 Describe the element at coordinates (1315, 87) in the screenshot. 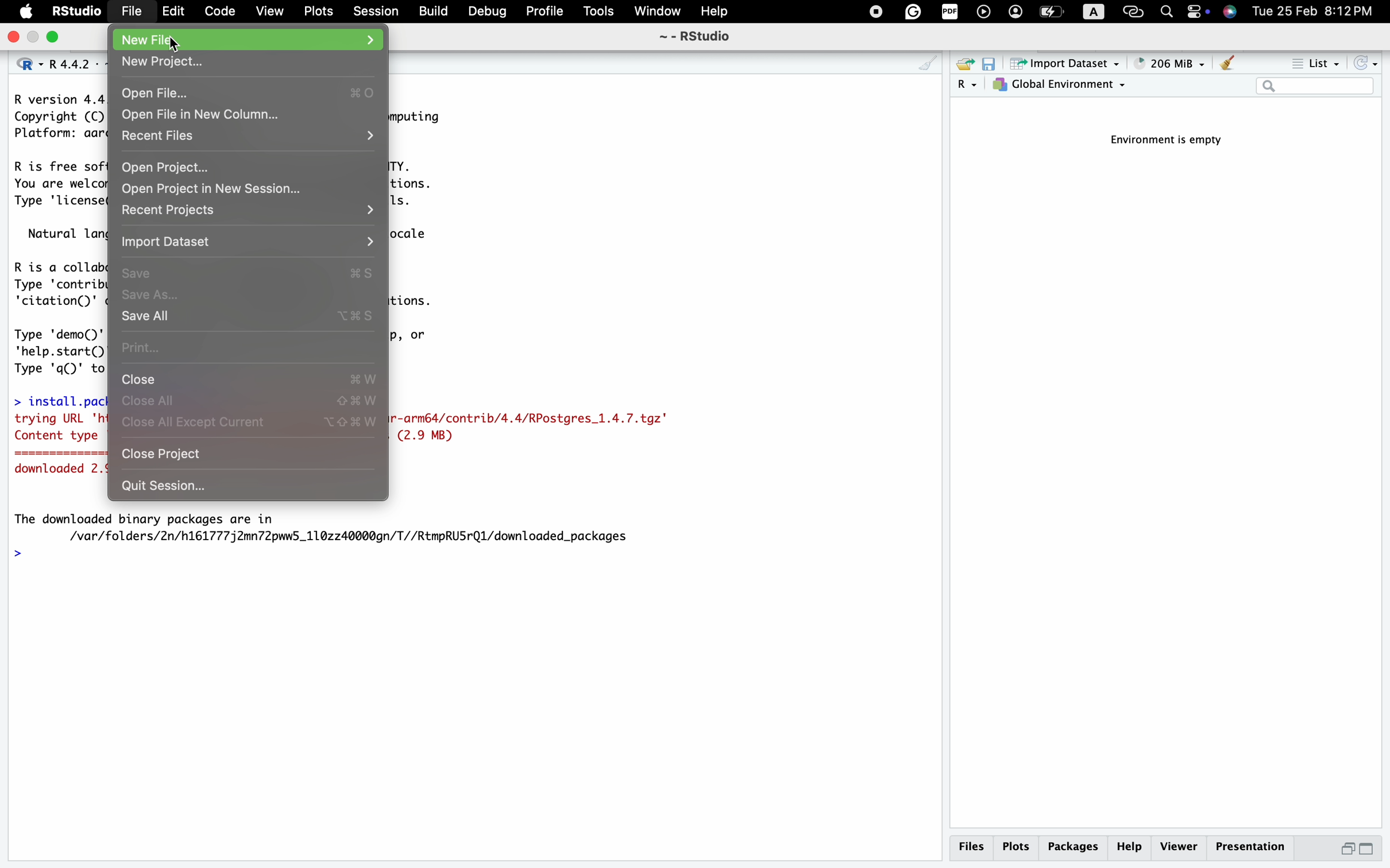

I see `search field` at that location.